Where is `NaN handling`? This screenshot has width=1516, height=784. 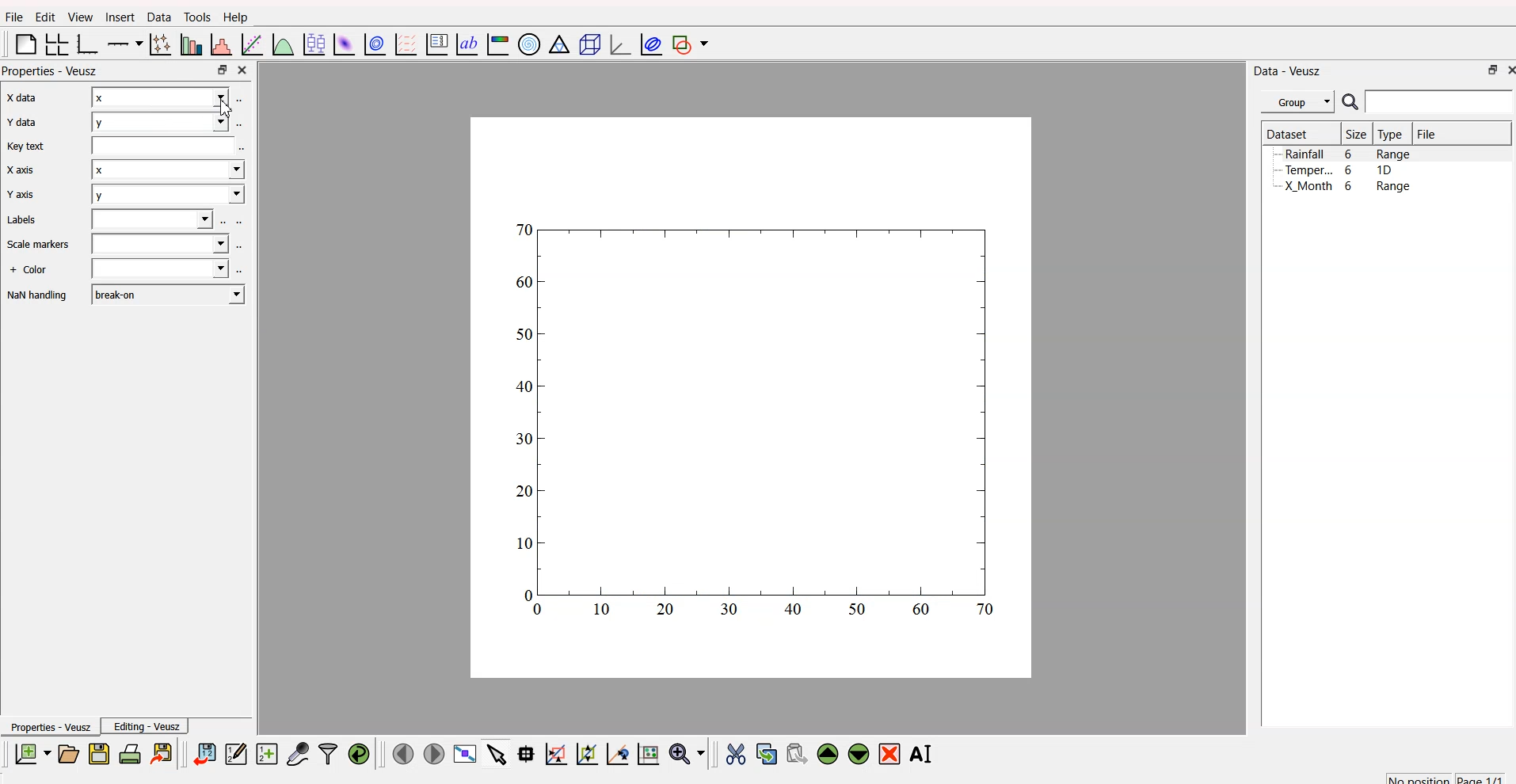 NaN handling is located at coordinates (38, 296).